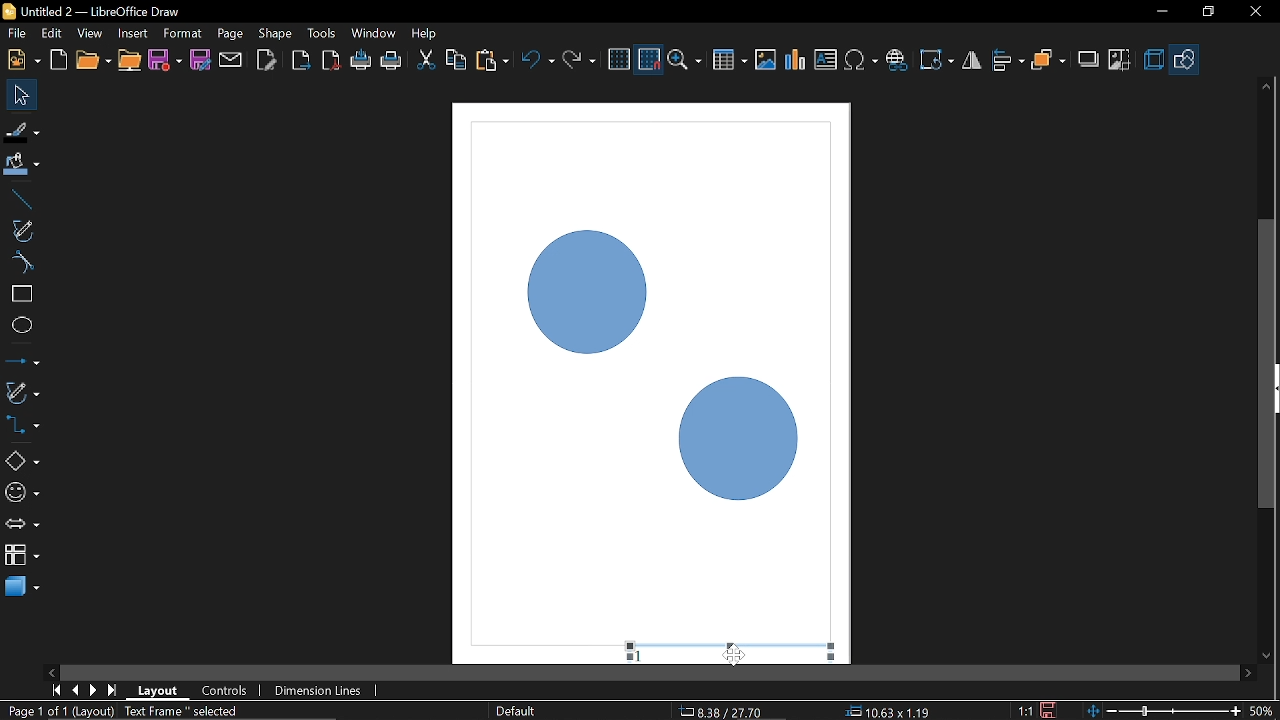  Describe the element at coordinates (22, 230) in the screenshot. I see `Free from line` at that location.